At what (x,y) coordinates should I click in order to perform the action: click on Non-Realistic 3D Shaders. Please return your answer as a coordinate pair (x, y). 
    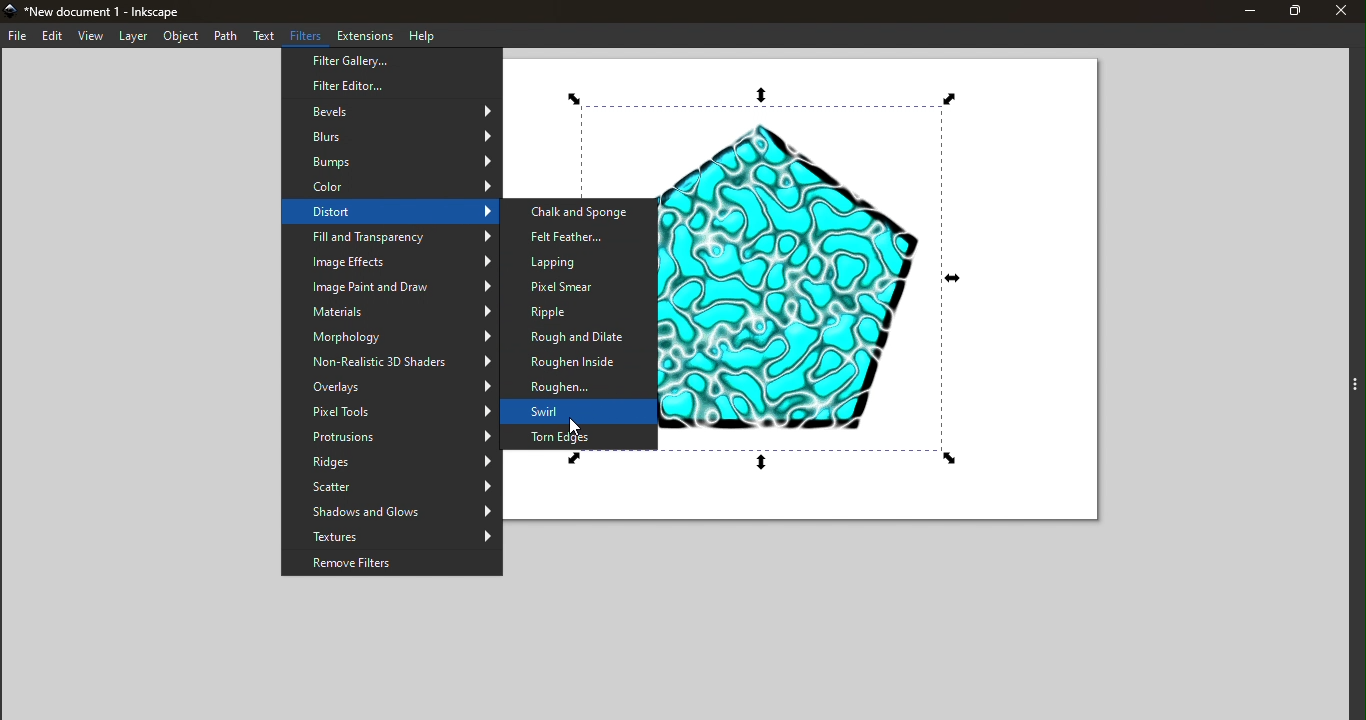
    Looking at the image, I should click on (390, 362).